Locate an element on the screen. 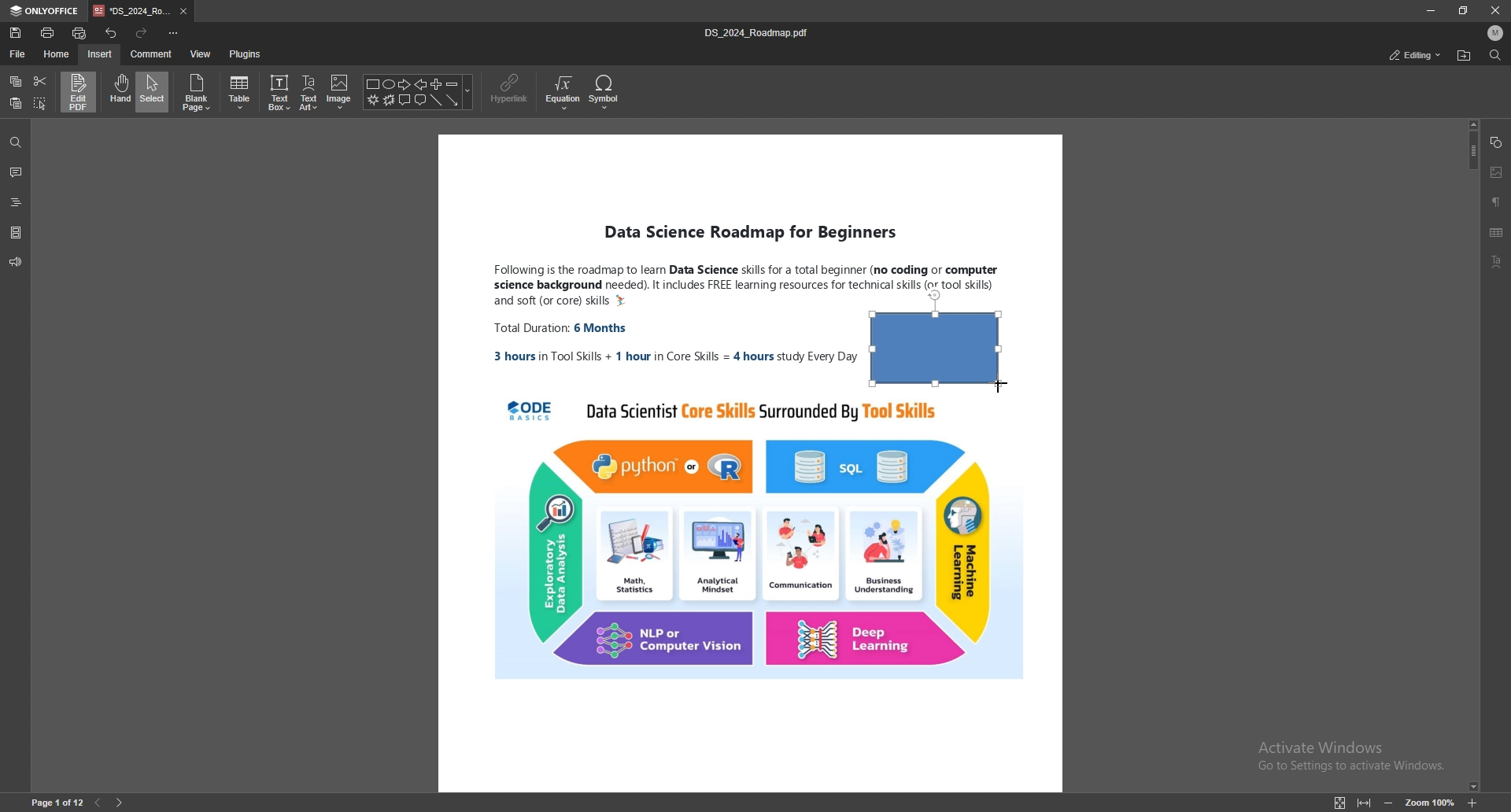  home is located at coordinates (57, 54).